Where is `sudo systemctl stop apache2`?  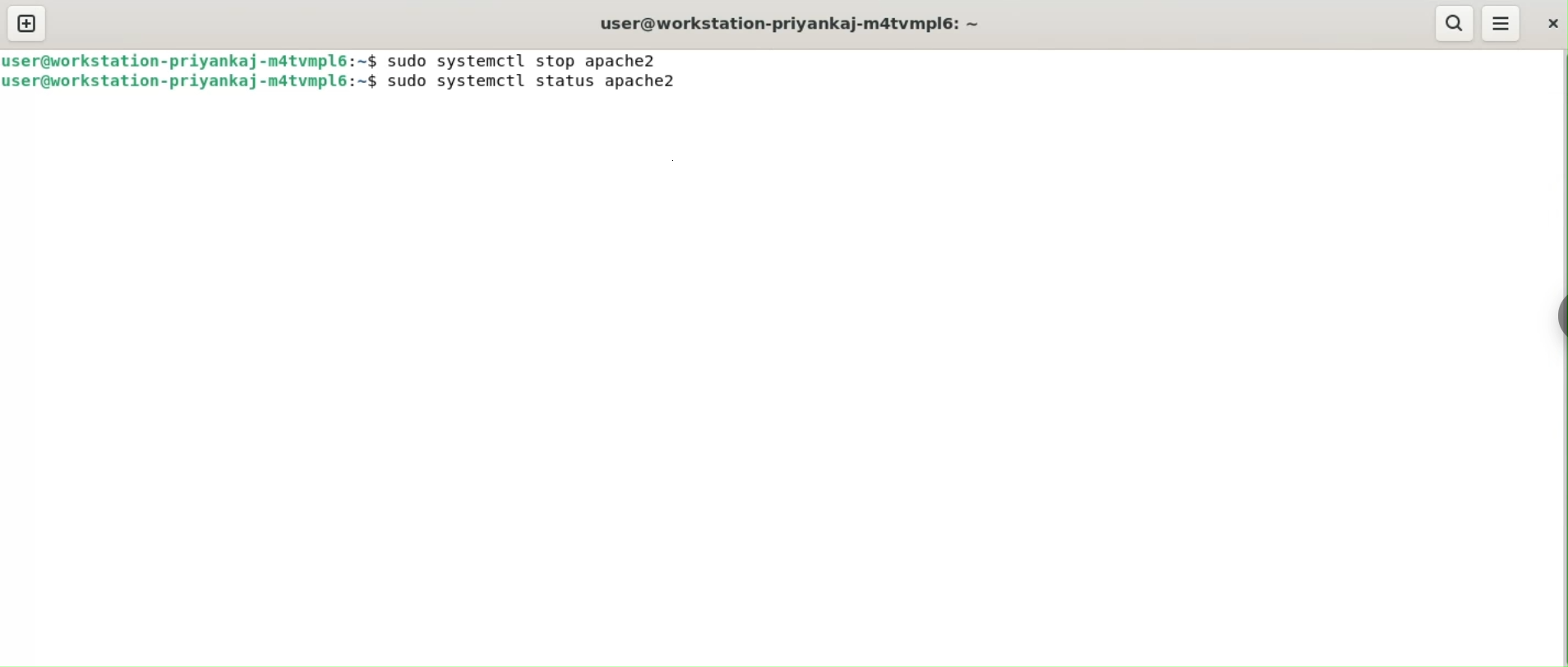 sudo systemctl stop apache2 is located at coordinates (530, 60).